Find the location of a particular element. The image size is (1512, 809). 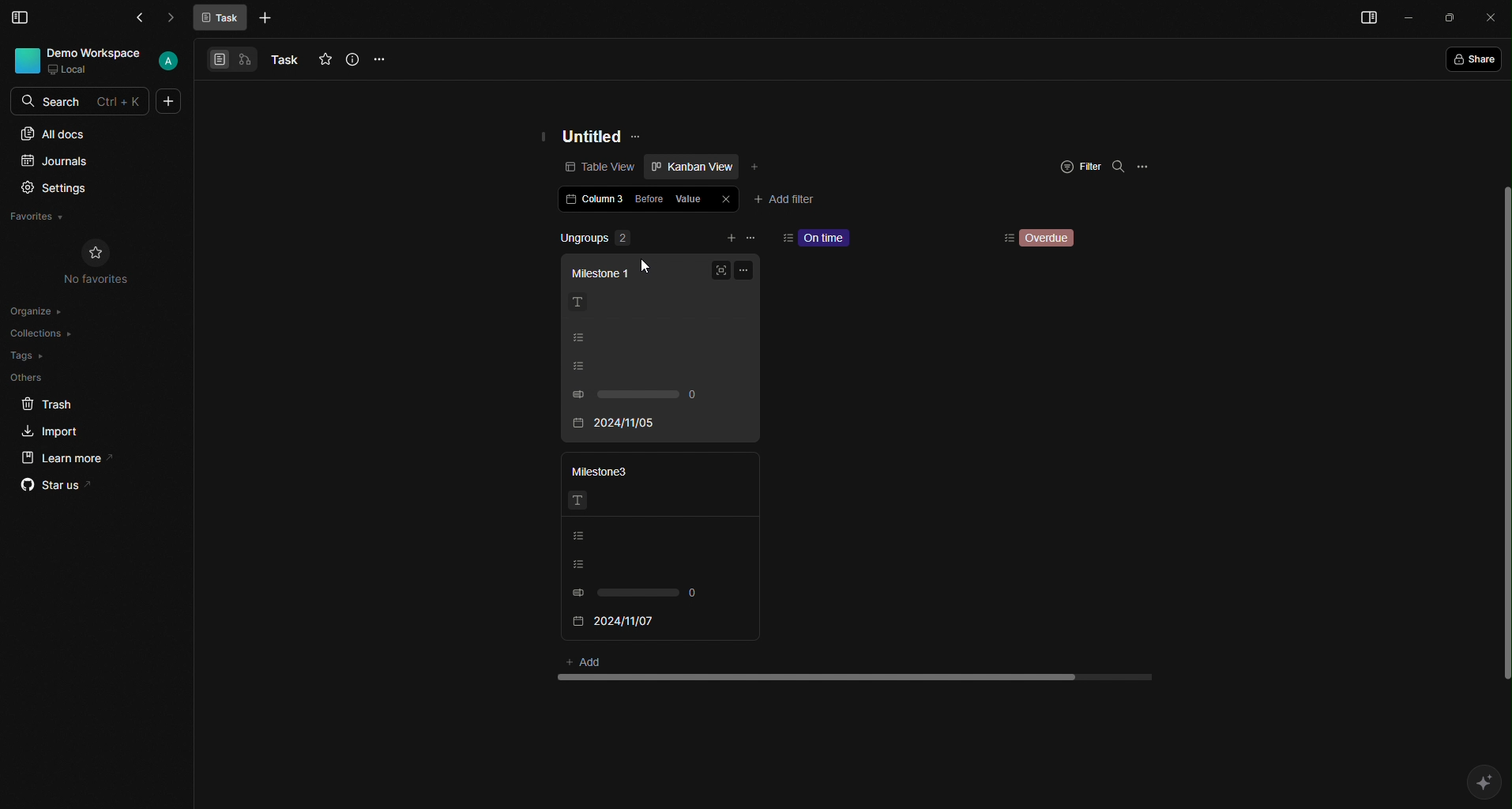

Sorting is located at coordinates (1006, 238).